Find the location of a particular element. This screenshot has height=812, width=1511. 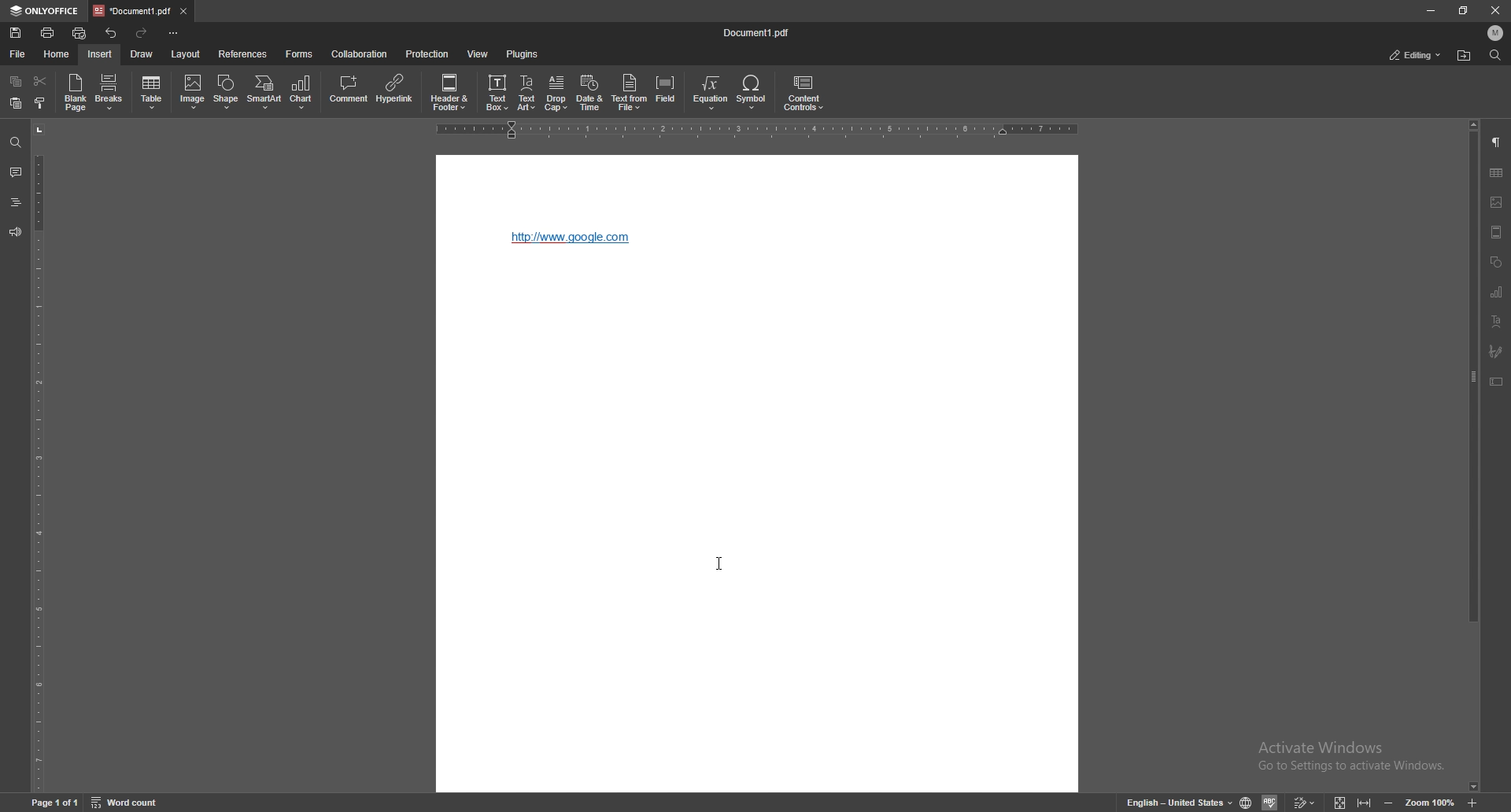

home is located at coordinates (54, 53).